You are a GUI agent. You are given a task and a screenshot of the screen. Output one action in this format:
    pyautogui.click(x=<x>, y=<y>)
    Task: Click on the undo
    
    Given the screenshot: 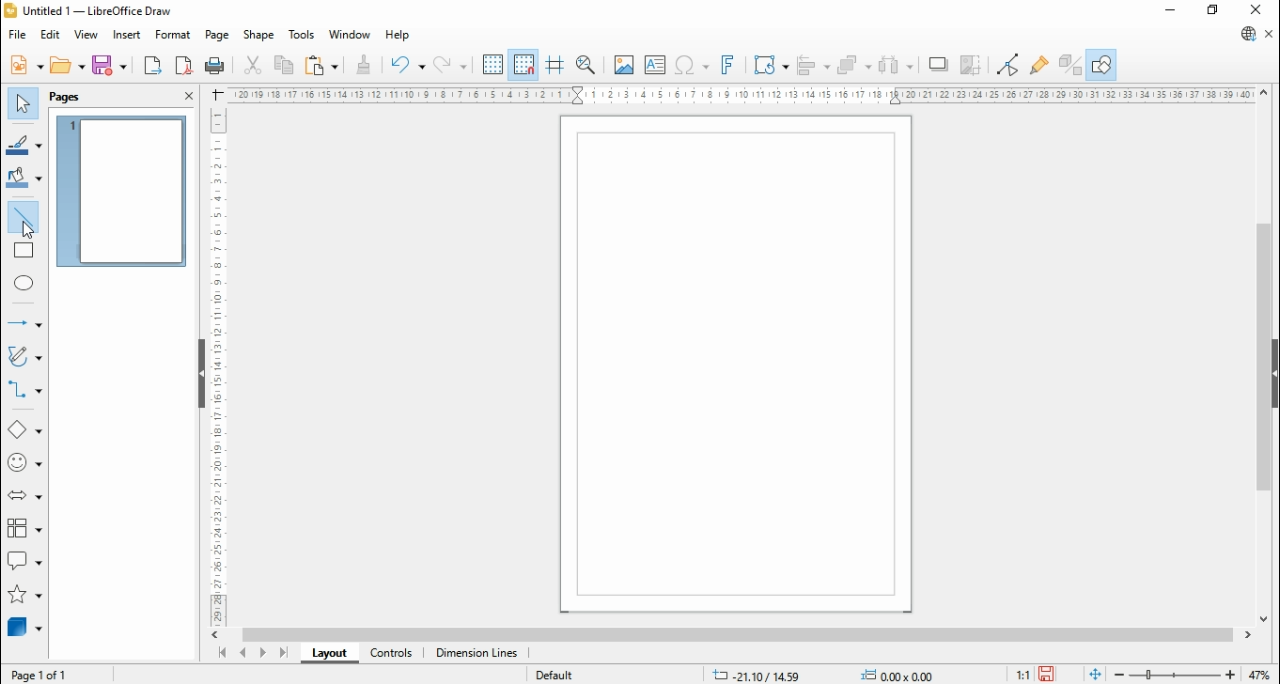 What is the action you would take?
    pyautogui.click(x=406, y=64)
    